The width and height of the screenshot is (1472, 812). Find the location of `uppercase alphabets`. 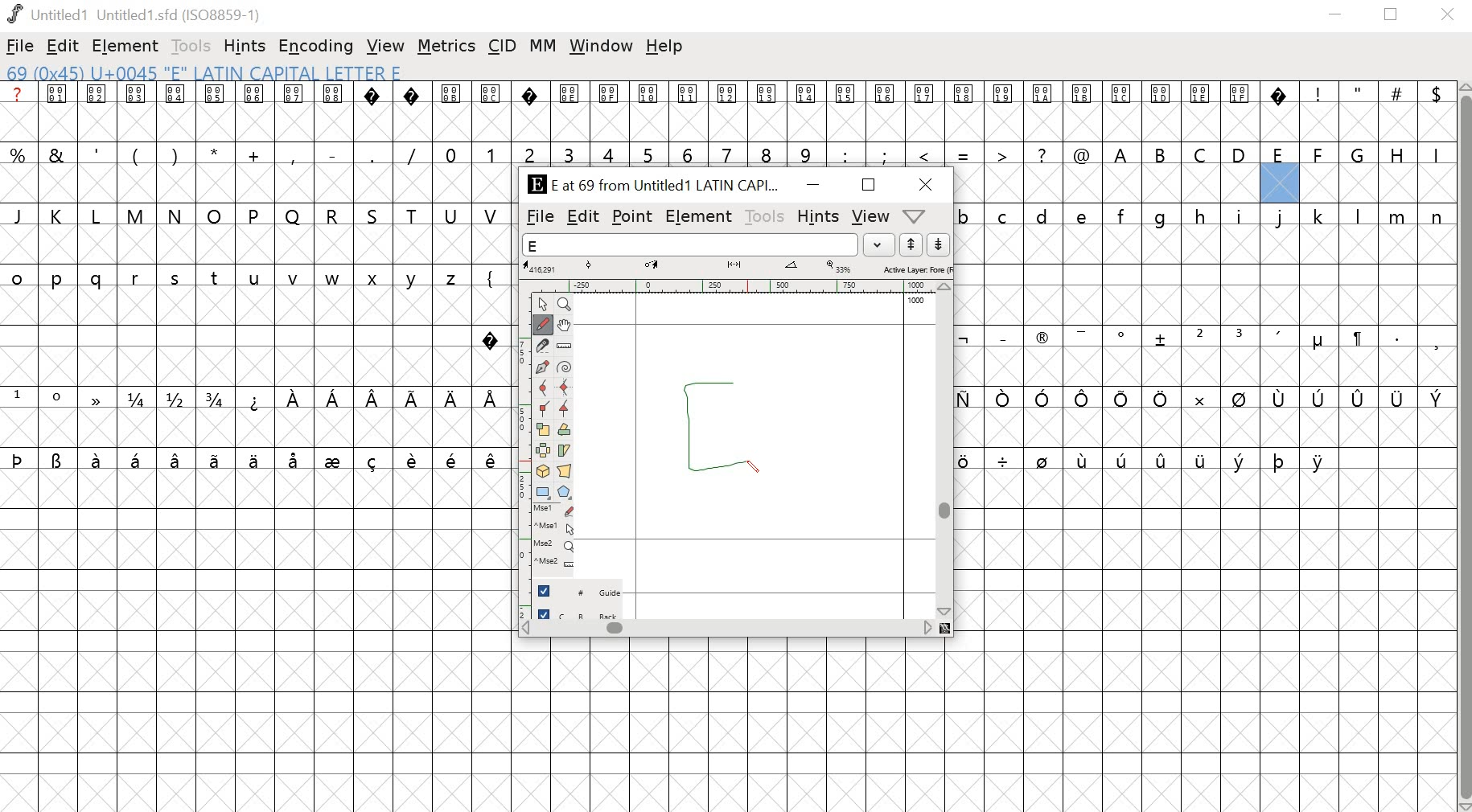

uppercase alphabets is located at coordinates (253, 215).